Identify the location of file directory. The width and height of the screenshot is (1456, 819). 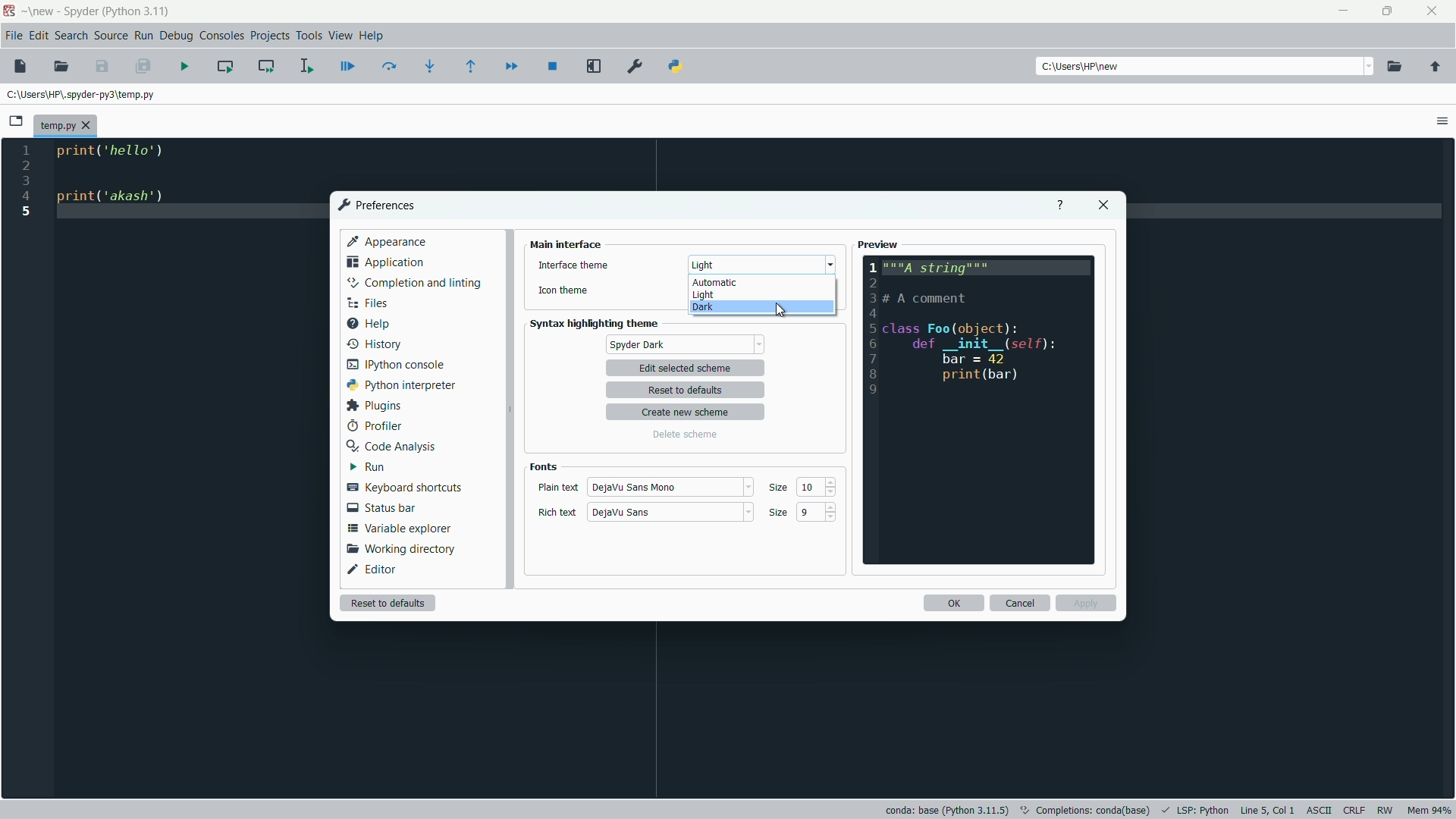
(83, 93).